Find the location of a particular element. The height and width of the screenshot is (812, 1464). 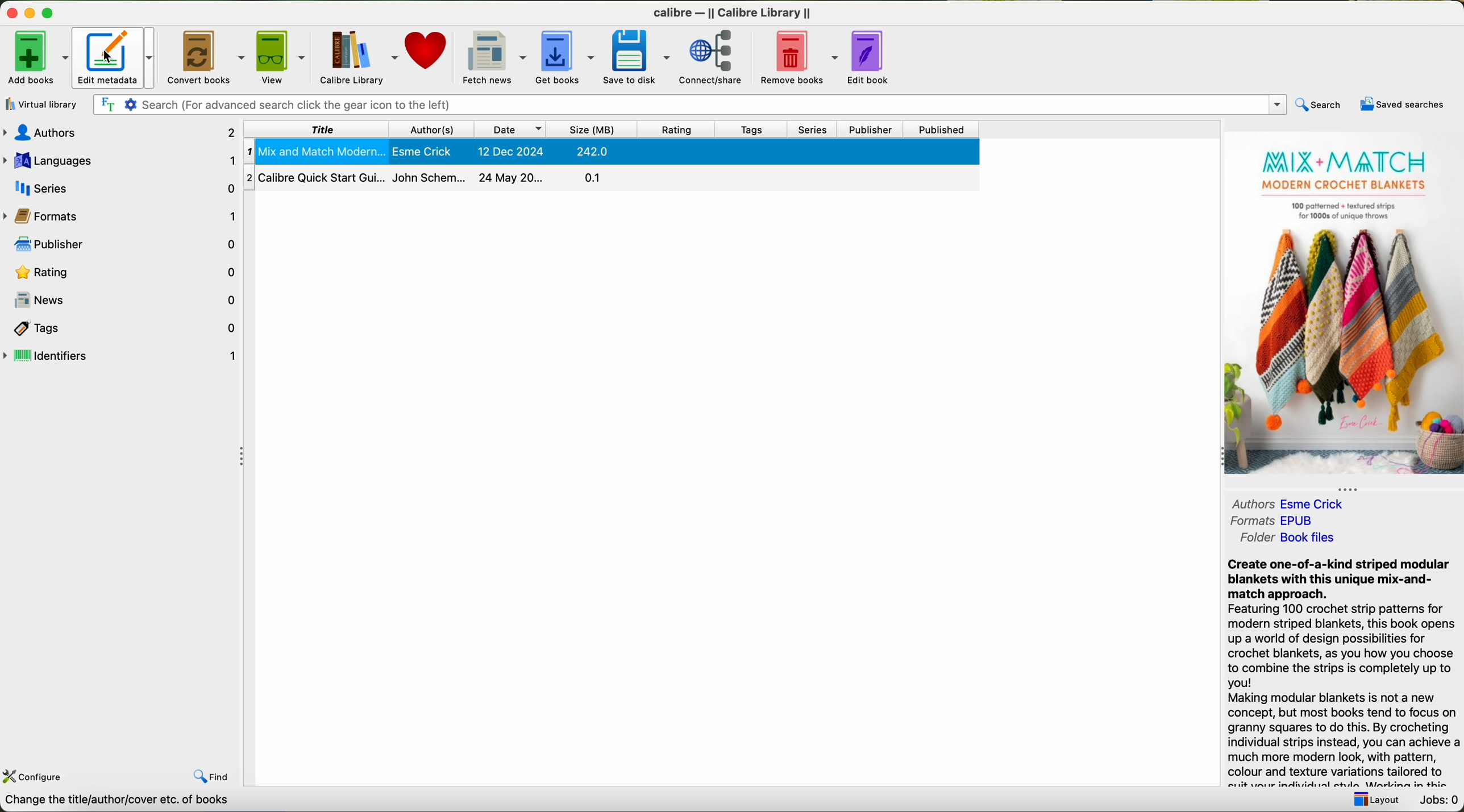

close program is located at coordinates (12, 13).